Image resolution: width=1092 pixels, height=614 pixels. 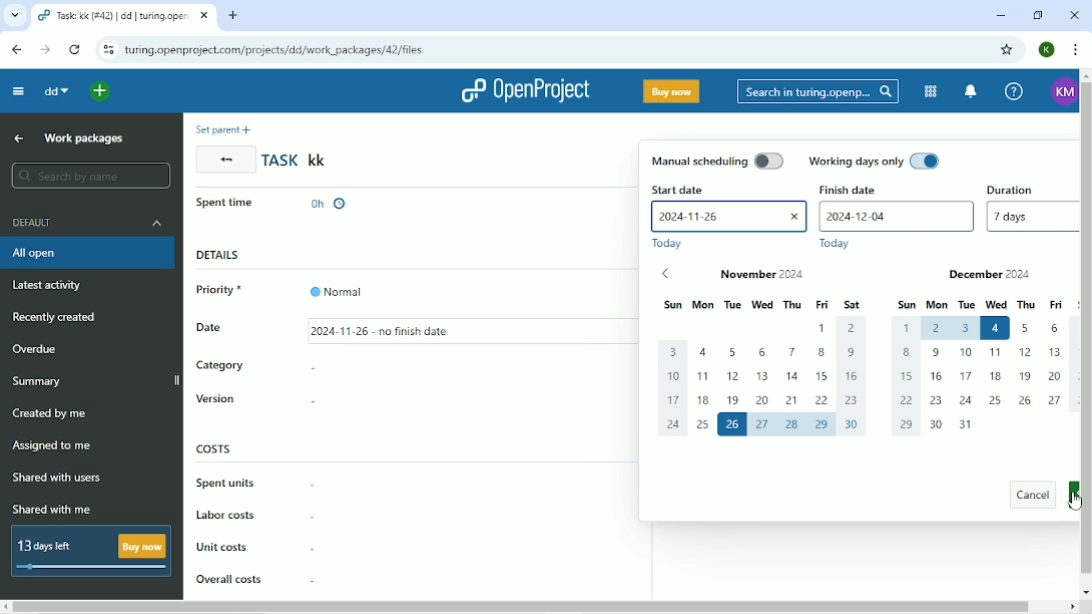 What do you see at coordinates (997, 16) in the screenshot?
I see `Minimize` at bounding box center [997, 16].